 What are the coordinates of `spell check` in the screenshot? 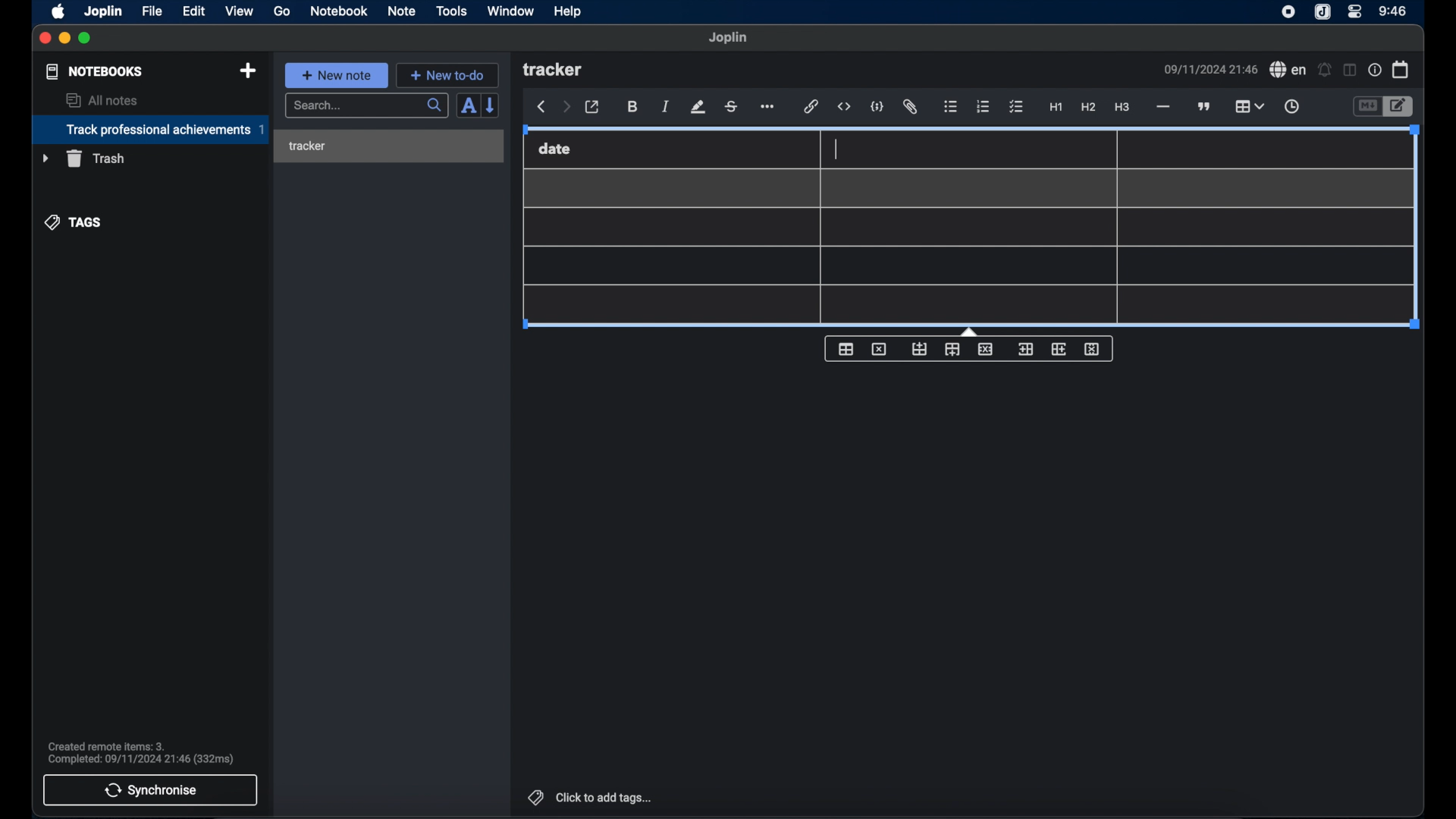 It's located at (1288, 70).